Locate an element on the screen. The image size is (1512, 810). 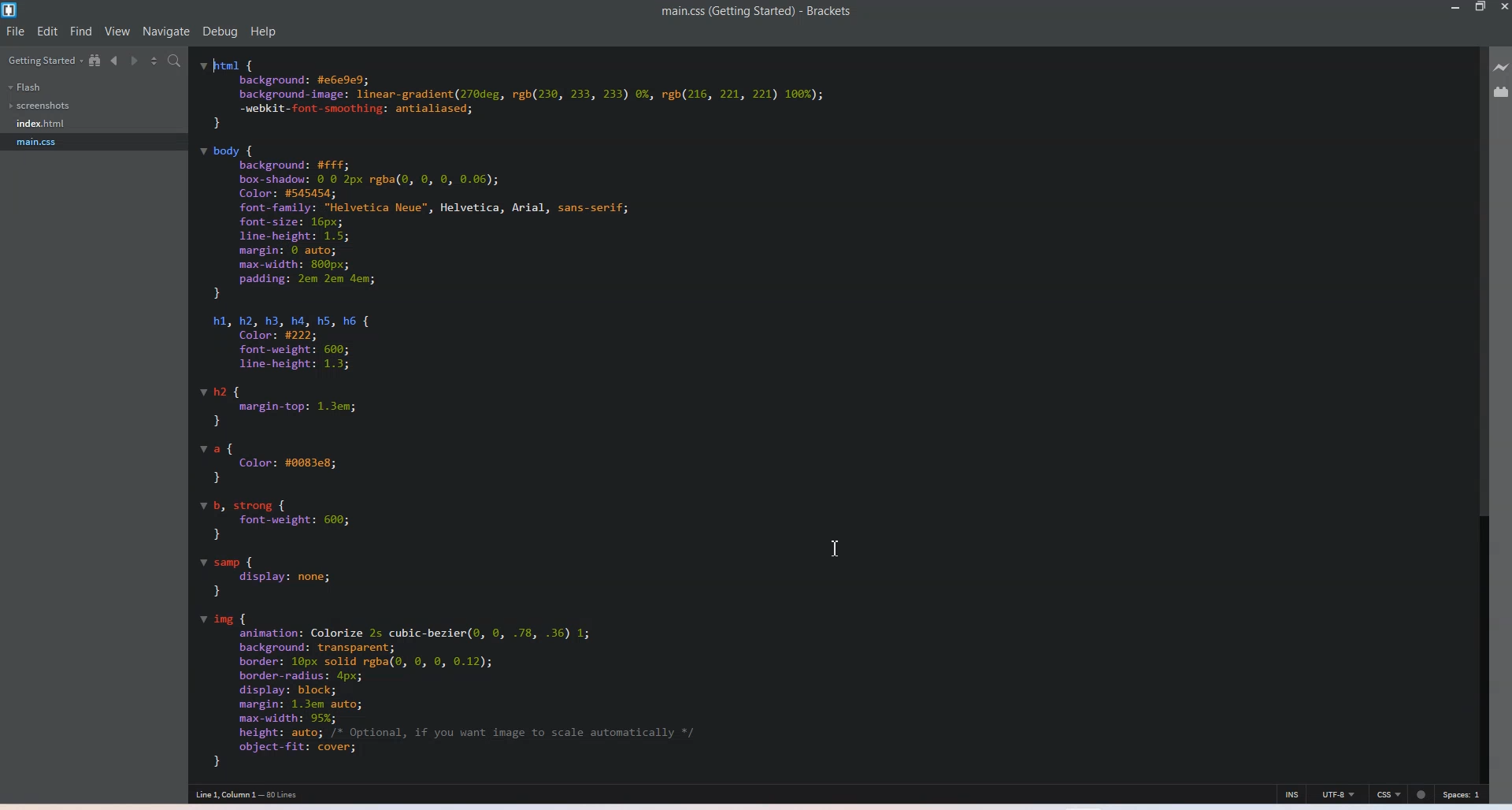
Extension Manager is located at coordinates (1503, 91).